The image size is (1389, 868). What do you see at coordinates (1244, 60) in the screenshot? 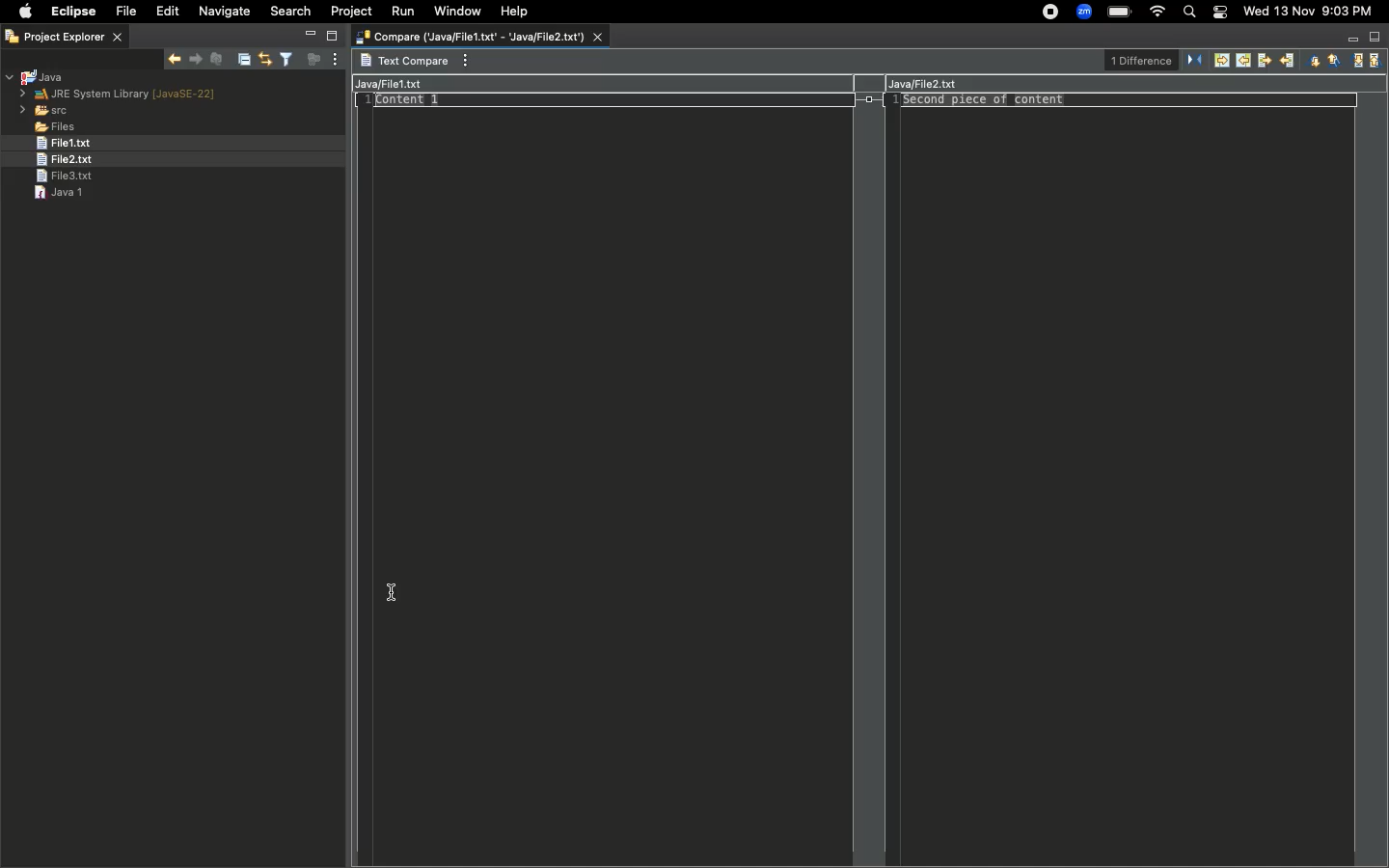
I see `Copy non-conflicting changes from right to left` at bounding box center [1244, 60].